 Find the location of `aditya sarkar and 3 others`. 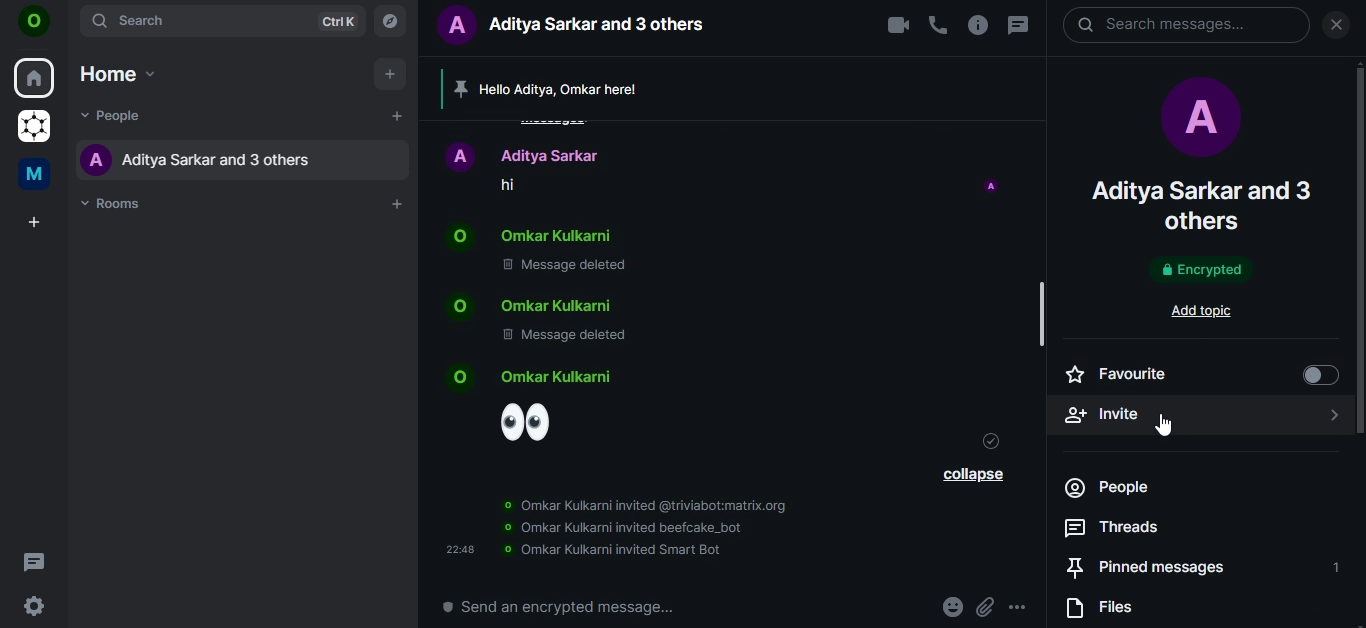

aditya sarkar and 3 others is located at coordinates (209, 160).